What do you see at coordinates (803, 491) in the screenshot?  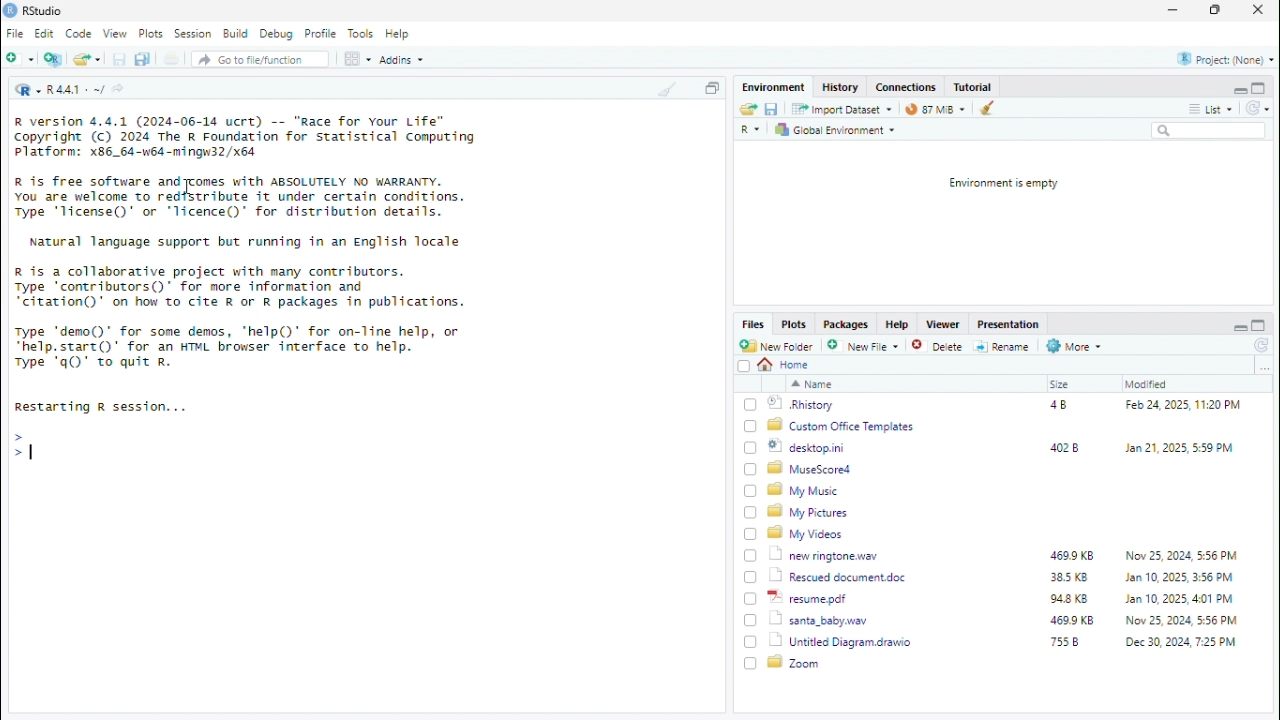 I see `My Music` at bounding box center [803, 491].